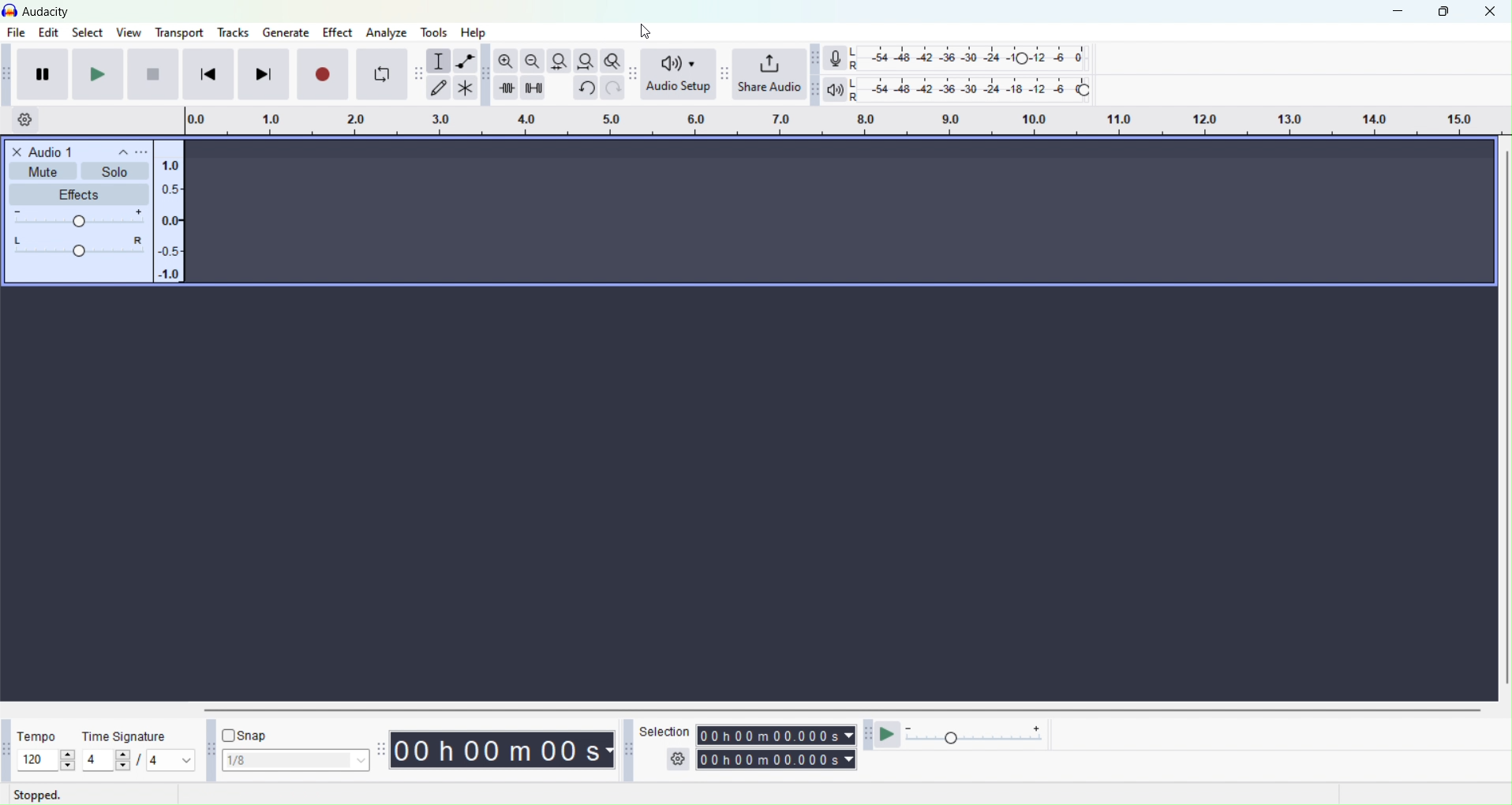  I want to click on Audacity edit toolbar, so click(485, 72).